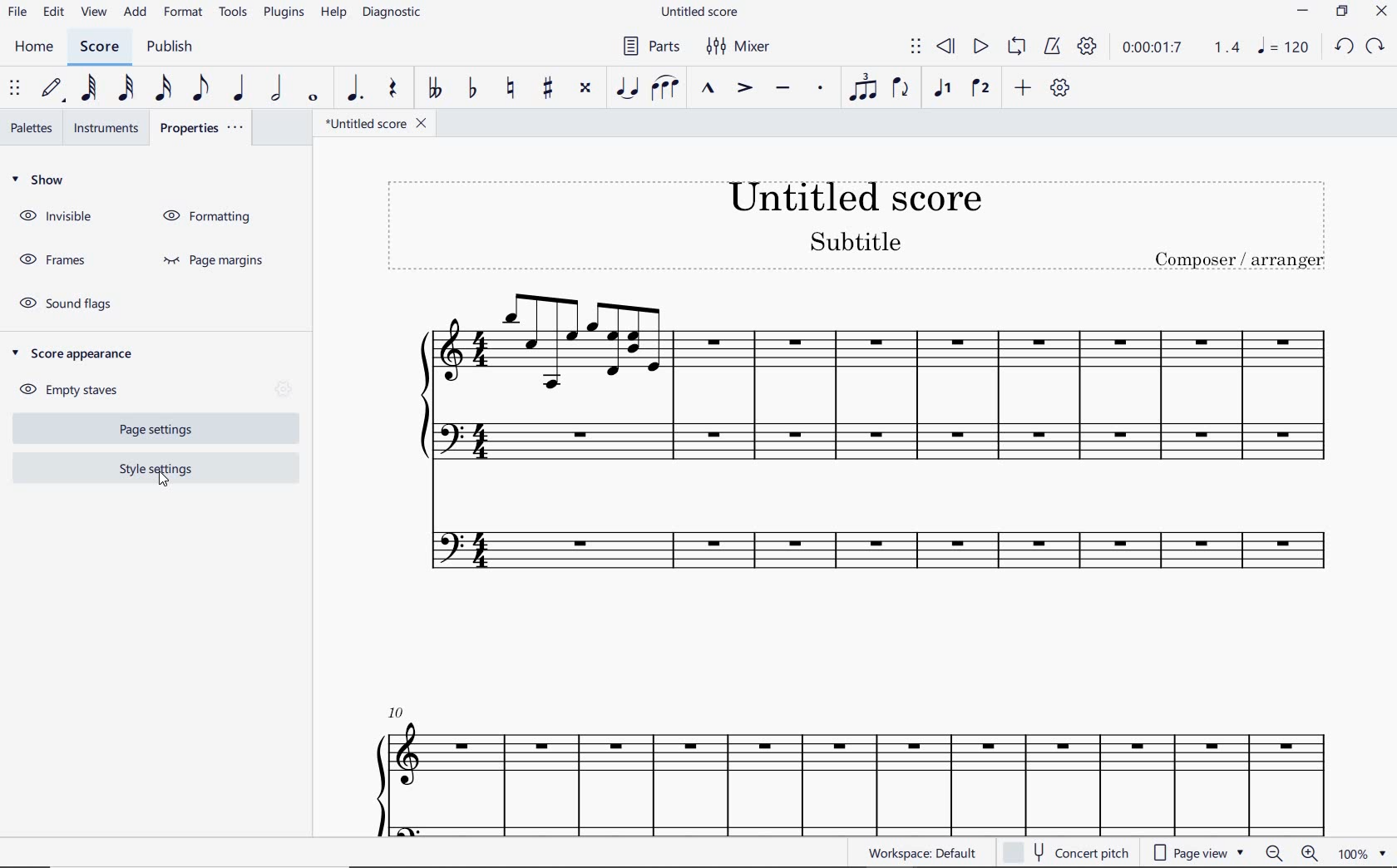  What do you see at coordinates (202, 89) in the screenshot?
I see `EIGHTH NOTE` at bounding box center [202, 89].